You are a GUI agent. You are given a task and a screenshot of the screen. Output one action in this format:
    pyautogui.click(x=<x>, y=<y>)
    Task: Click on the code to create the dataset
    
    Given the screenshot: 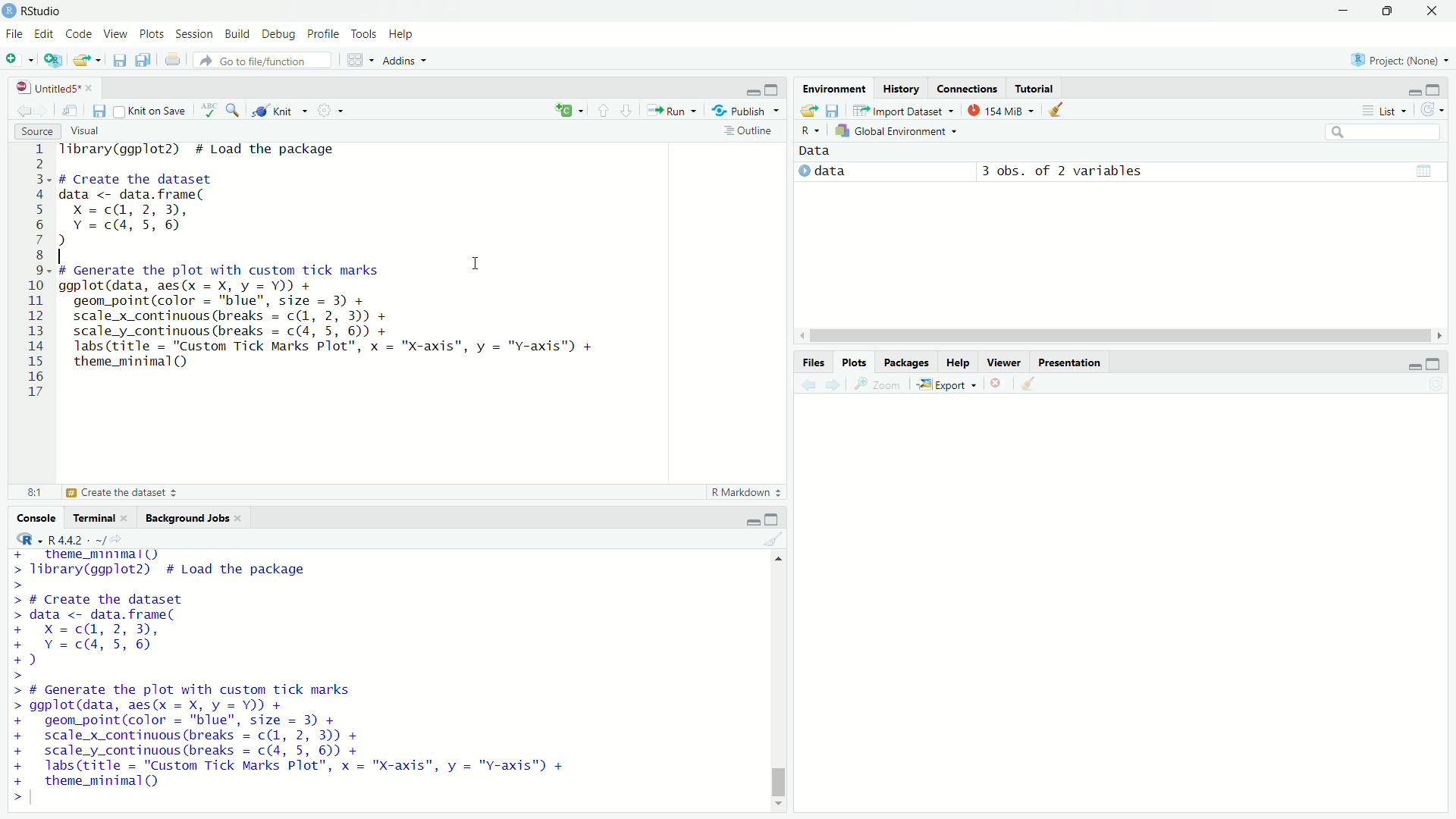 What is the action you would take?
    pyautogui.click(x=136, y=631)
    